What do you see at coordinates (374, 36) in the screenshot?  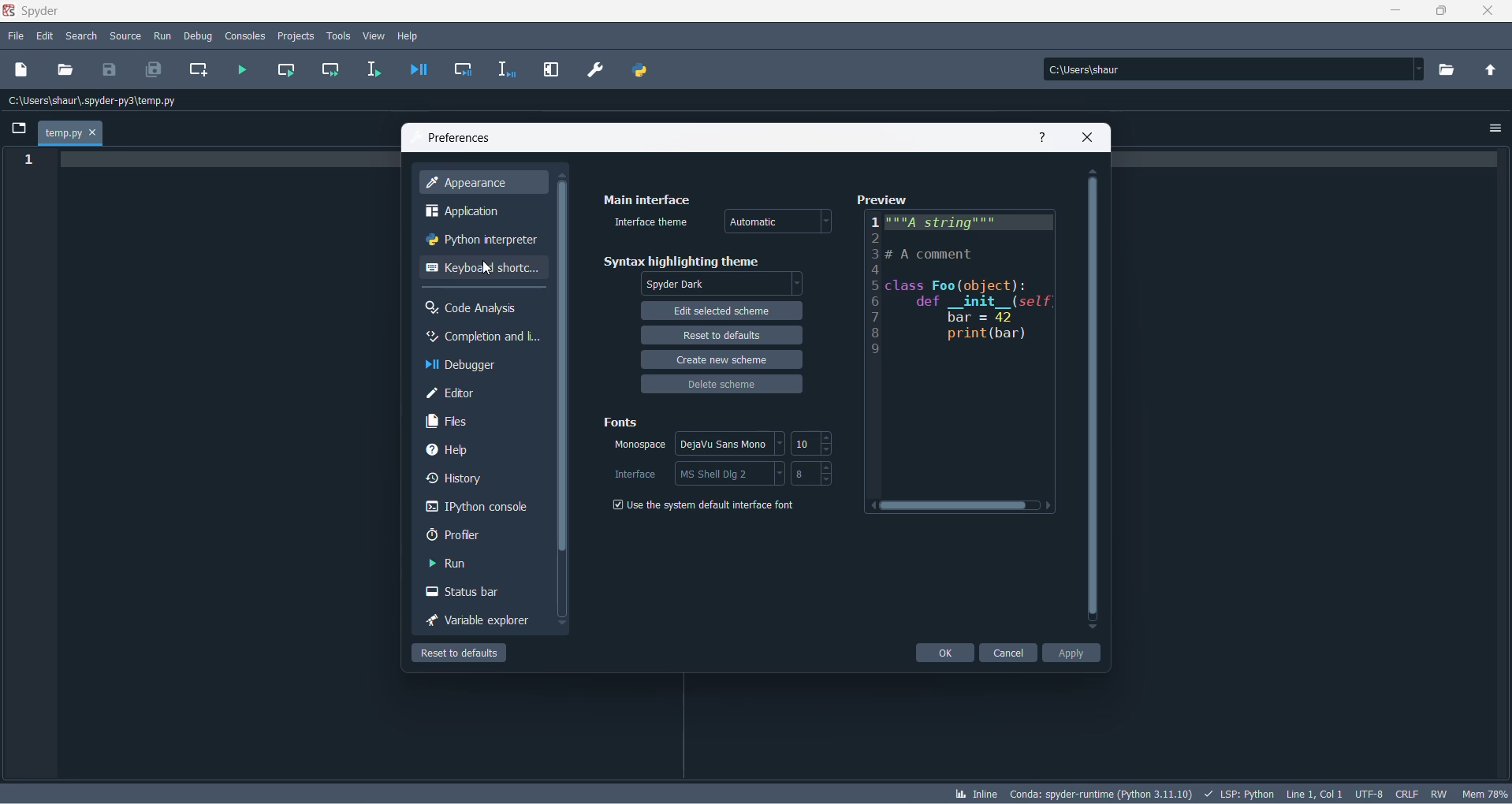 I see `view` at bounding box center [374, 36].